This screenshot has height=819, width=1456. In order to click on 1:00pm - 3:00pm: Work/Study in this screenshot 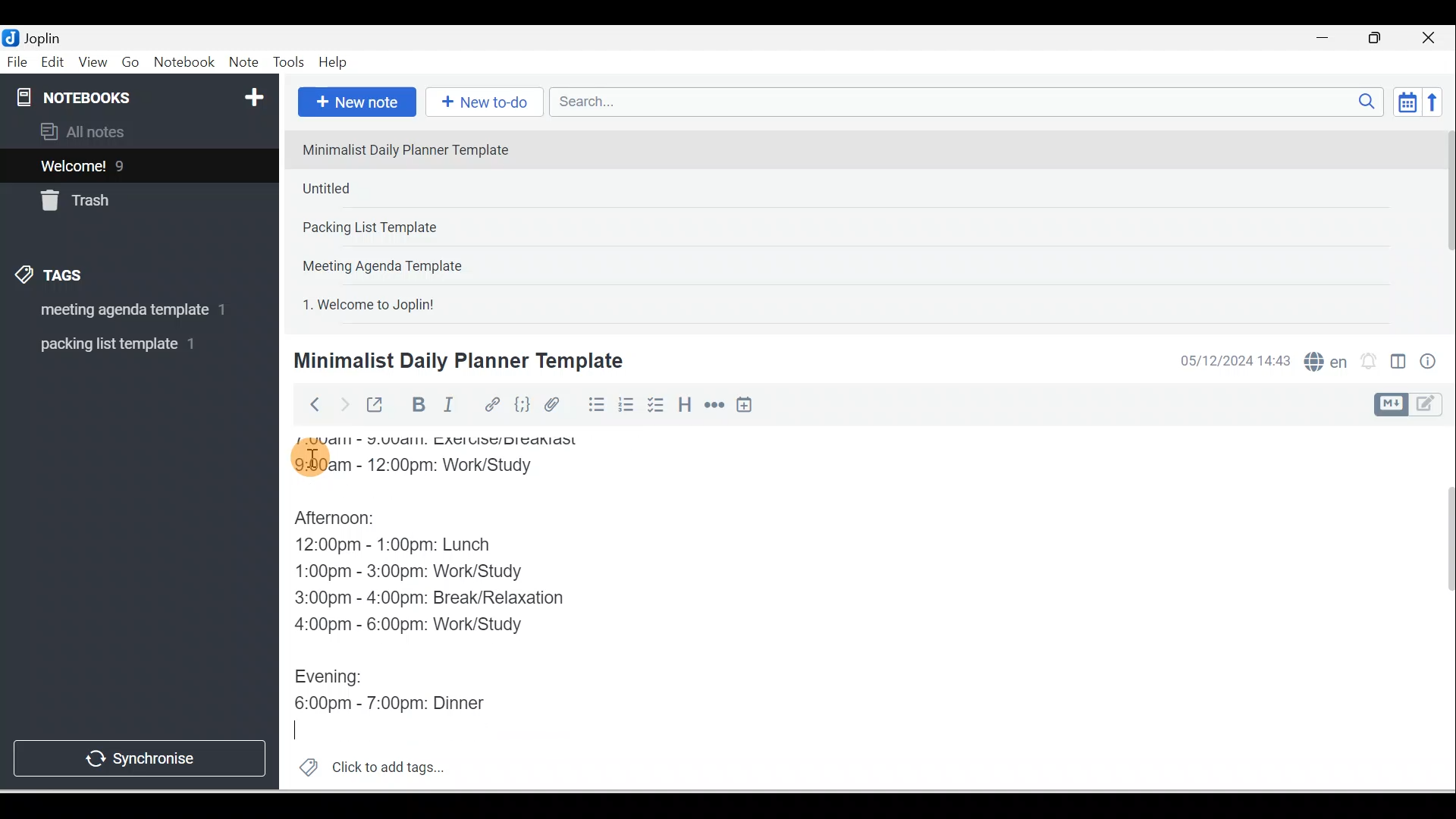, I will do `click(411, 573)`.